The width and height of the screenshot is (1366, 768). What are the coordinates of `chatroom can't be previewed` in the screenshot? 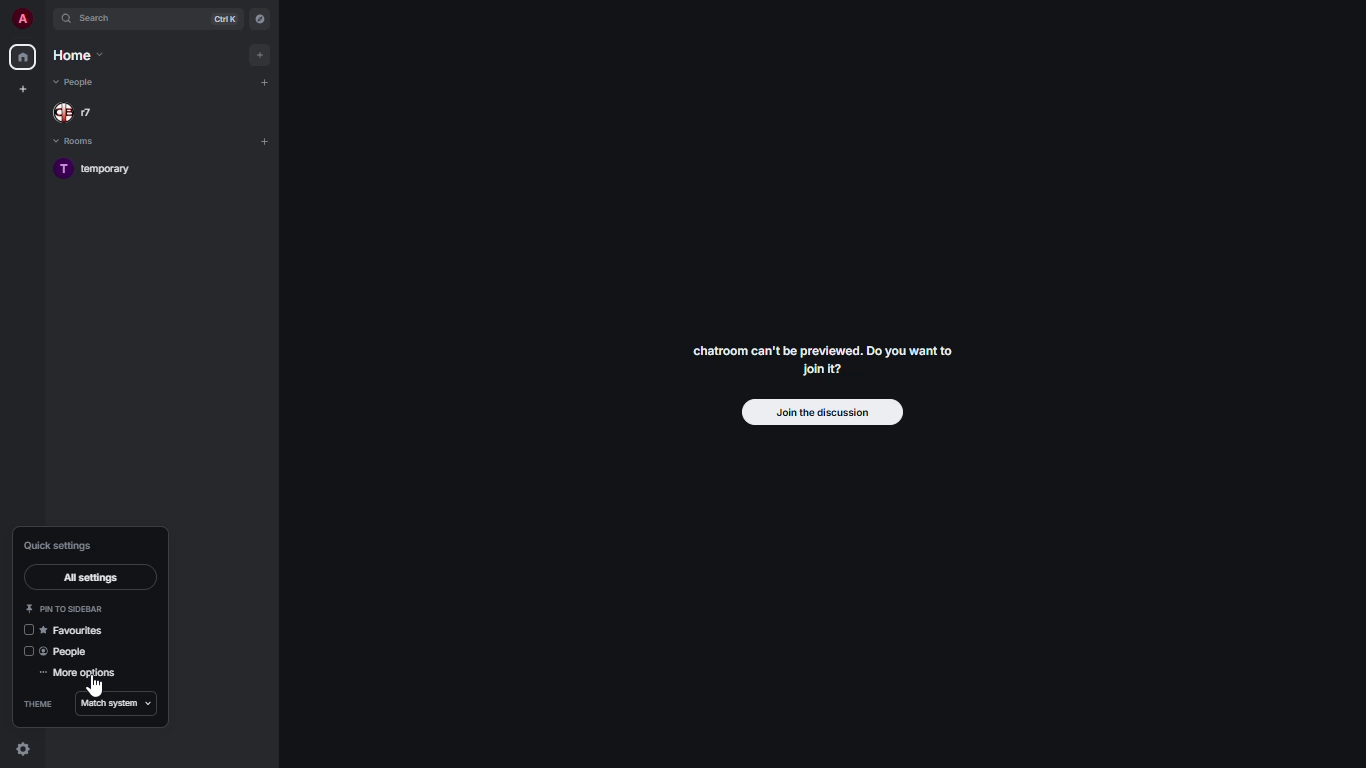 It's located at (827, 363).